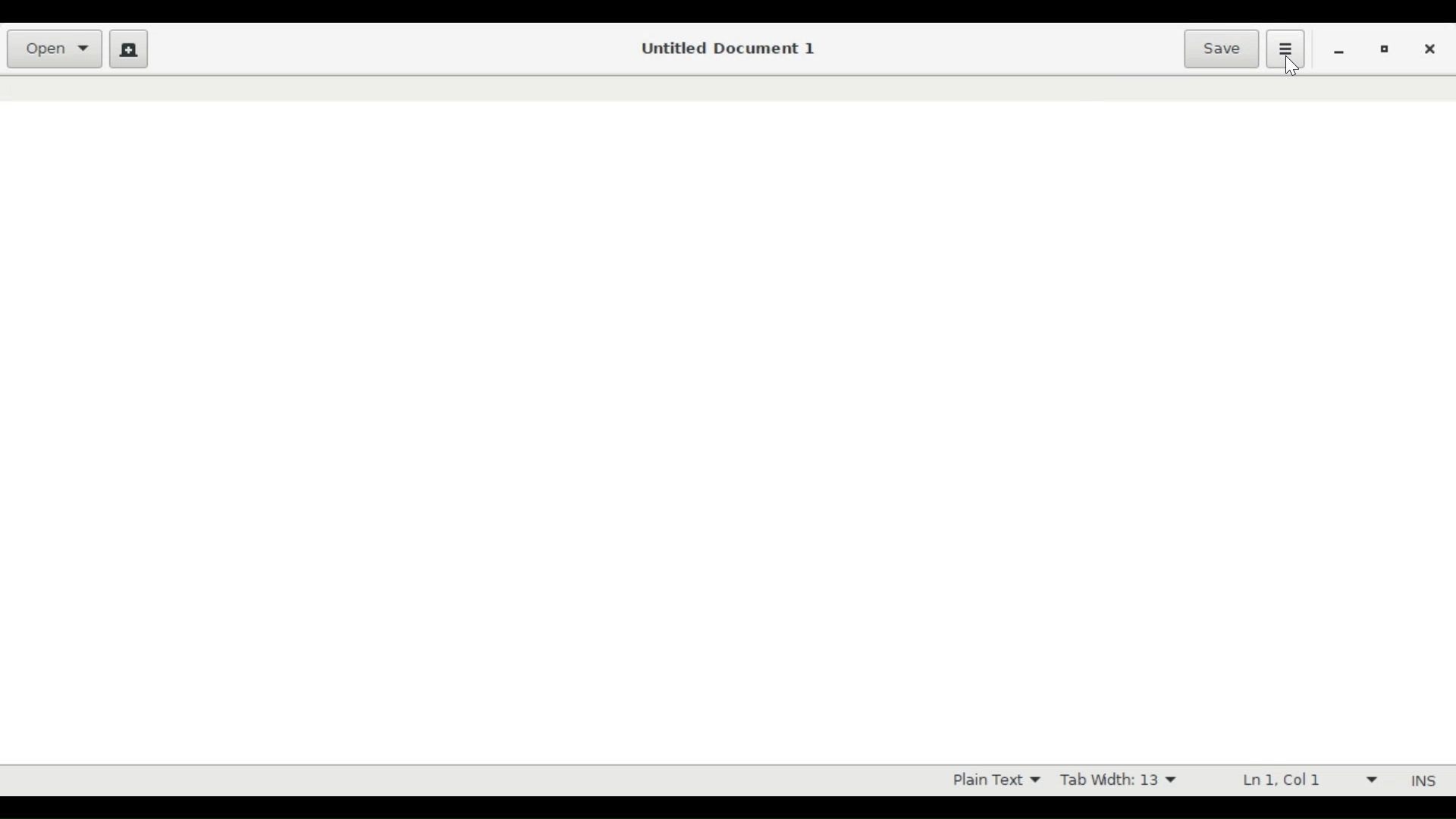 Image resolution: width=1456 pixels, height=819 pixels. Describe the element at coordinates (1125, 779) in the screenshot. I see `Tab Width 13` at that location.